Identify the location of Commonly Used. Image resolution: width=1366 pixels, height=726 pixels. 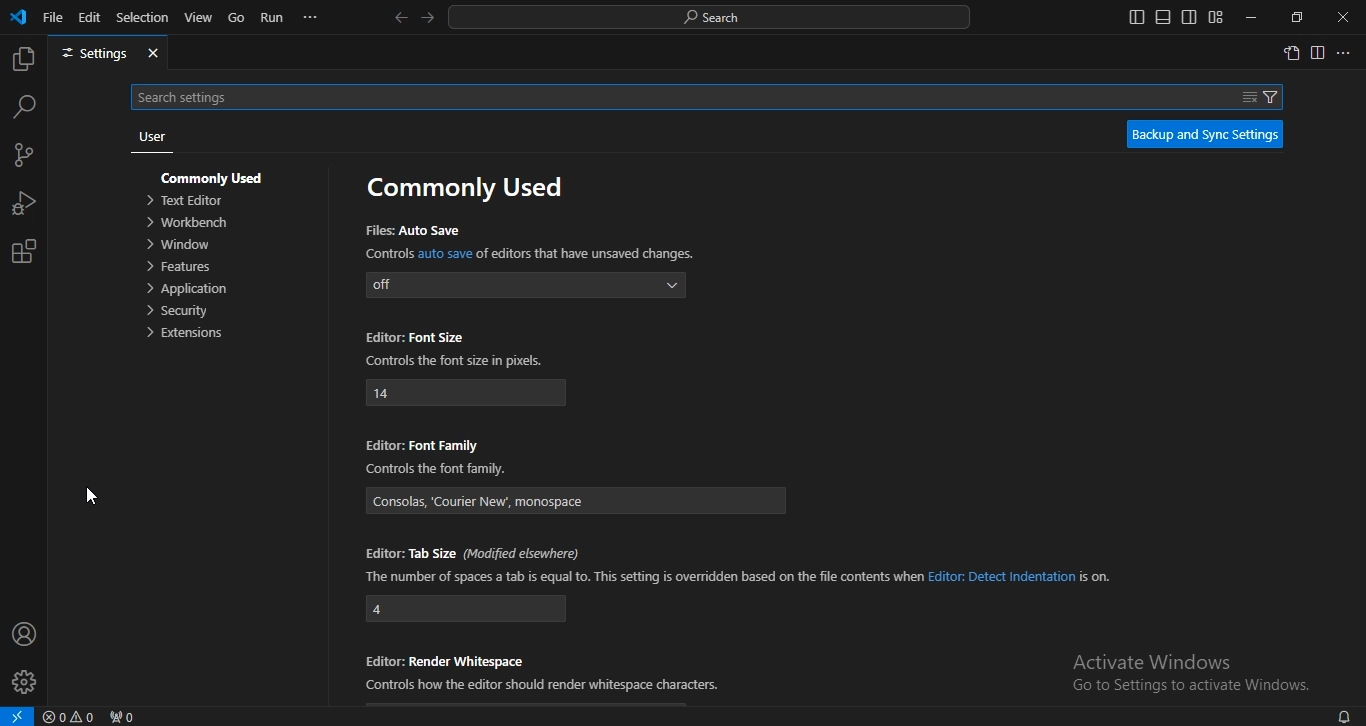
(217, 175).